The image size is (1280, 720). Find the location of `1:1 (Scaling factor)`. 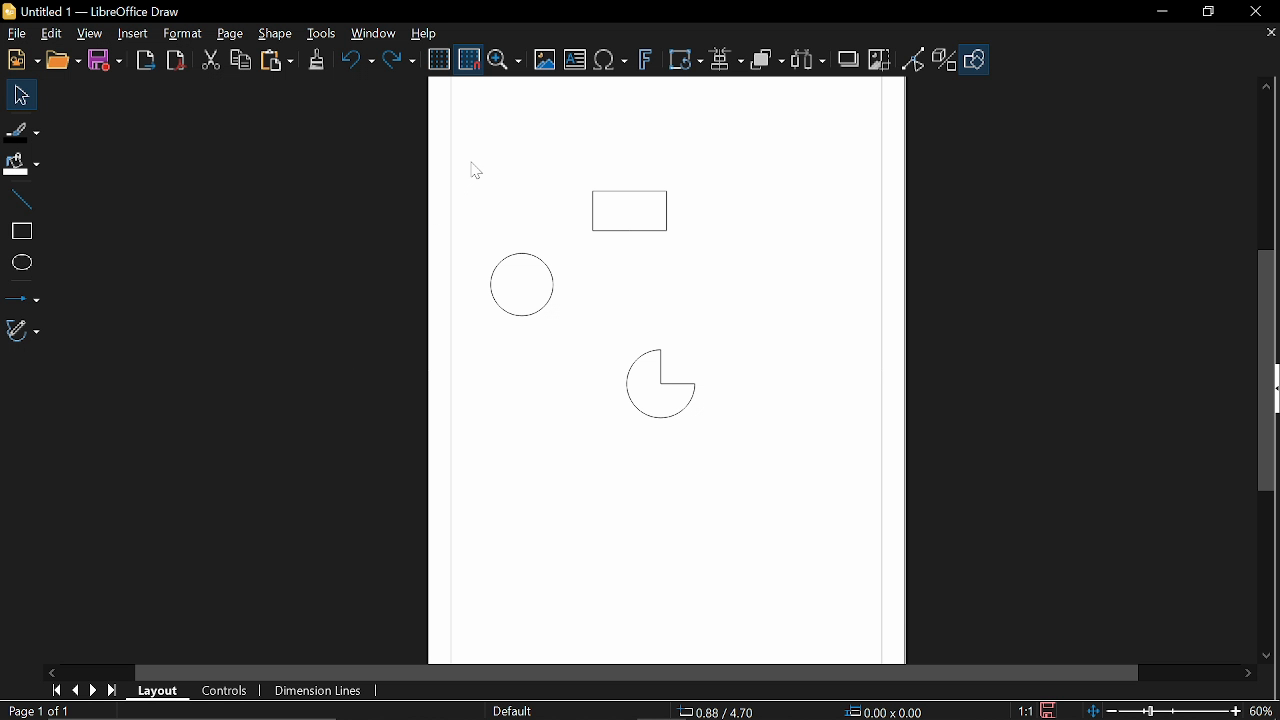

1:1 (Scaling factor) is located at coordinates (1026, 710).